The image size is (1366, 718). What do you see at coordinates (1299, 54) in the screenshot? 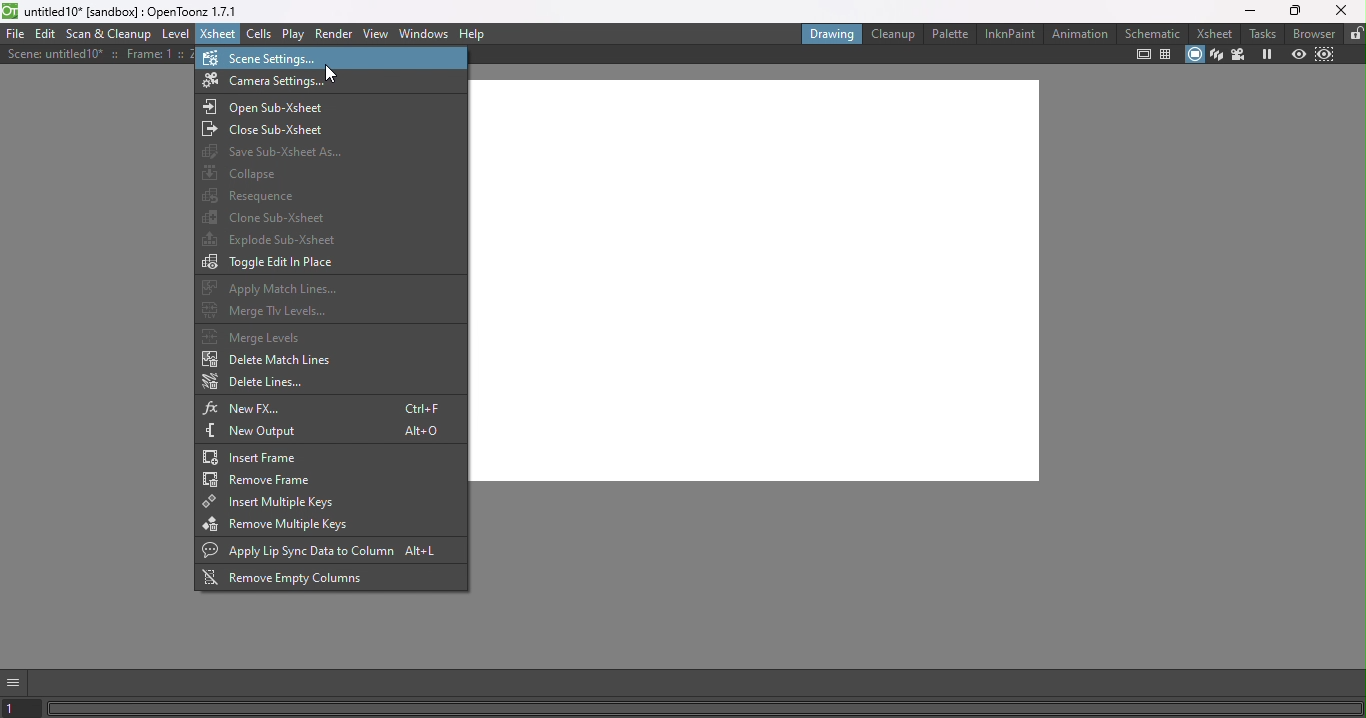
I see `Preview` at bounding box center [1299, 54].